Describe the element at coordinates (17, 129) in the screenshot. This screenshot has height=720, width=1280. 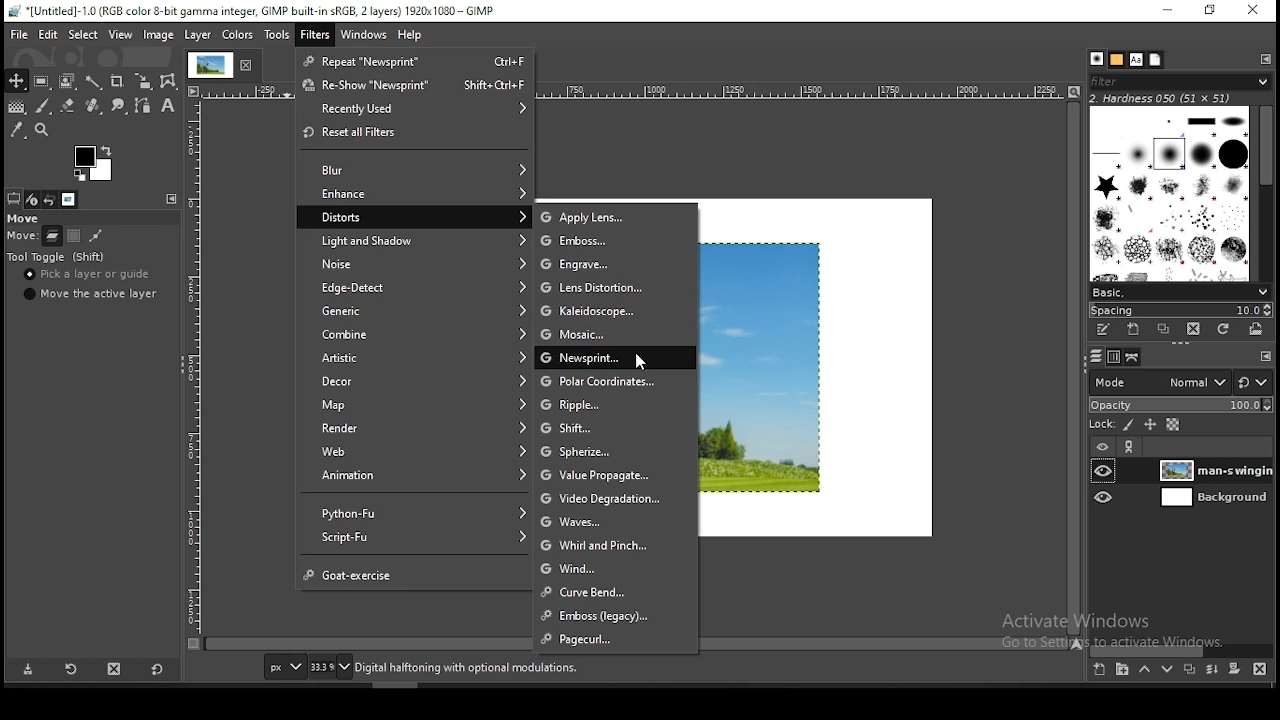
I see `color picker tool` at that location.